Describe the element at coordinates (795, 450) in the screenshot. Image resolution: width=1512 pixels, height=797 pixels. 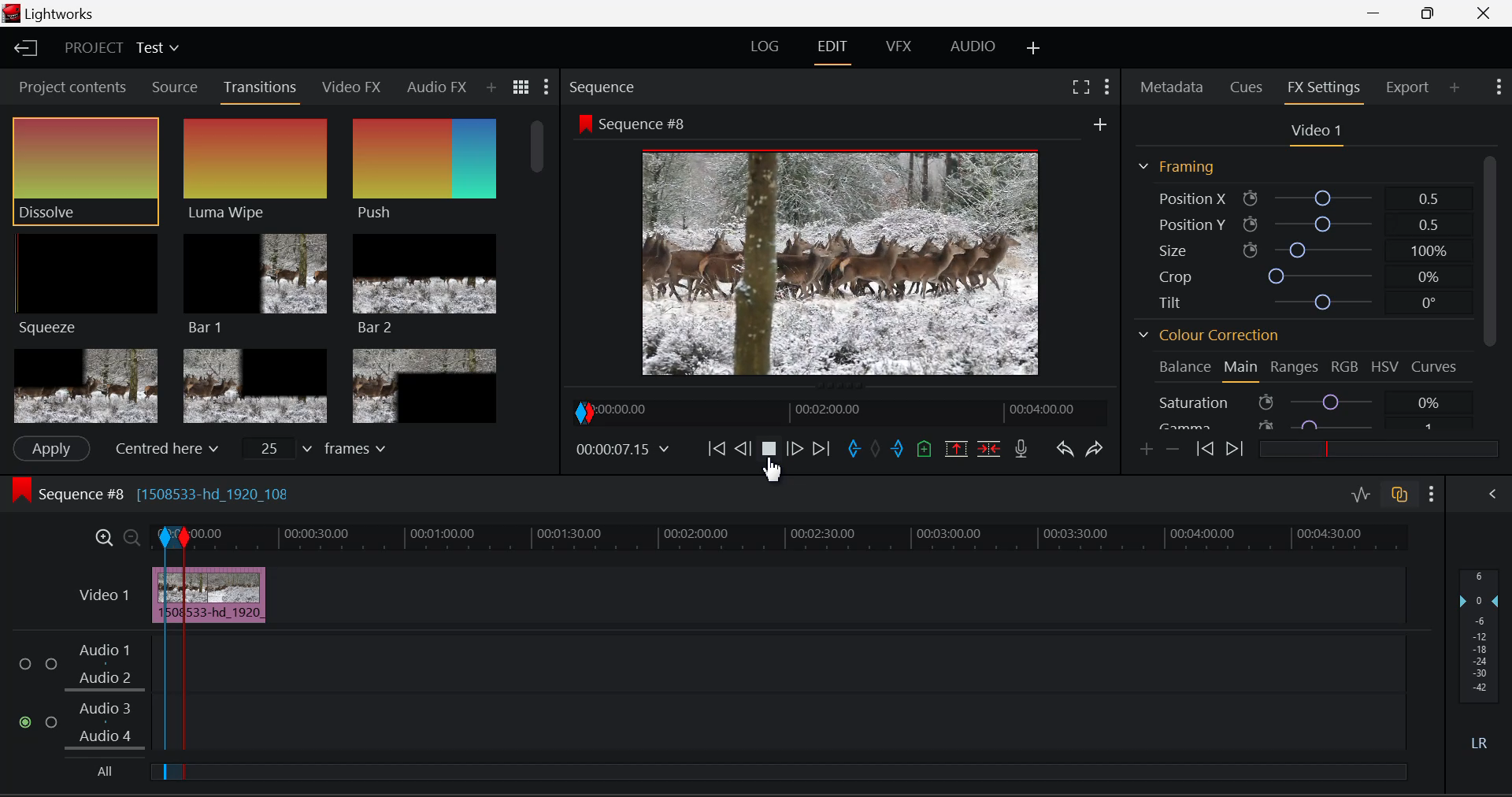
I see `Go Forward` at that location.